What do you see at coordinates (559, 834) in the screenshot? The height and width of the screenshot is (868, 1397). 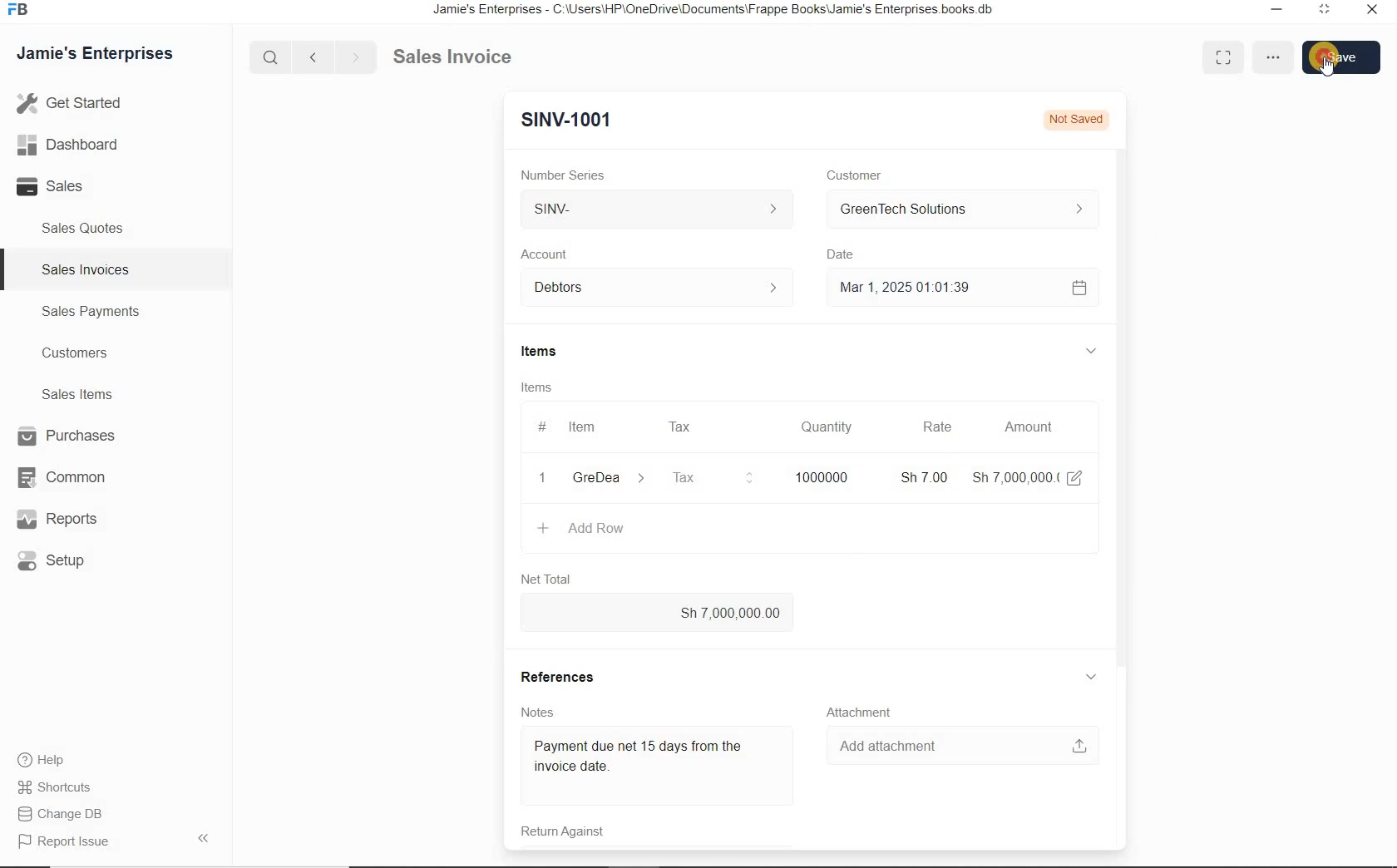 I see `Return Against` at bounding box center [559, 834].